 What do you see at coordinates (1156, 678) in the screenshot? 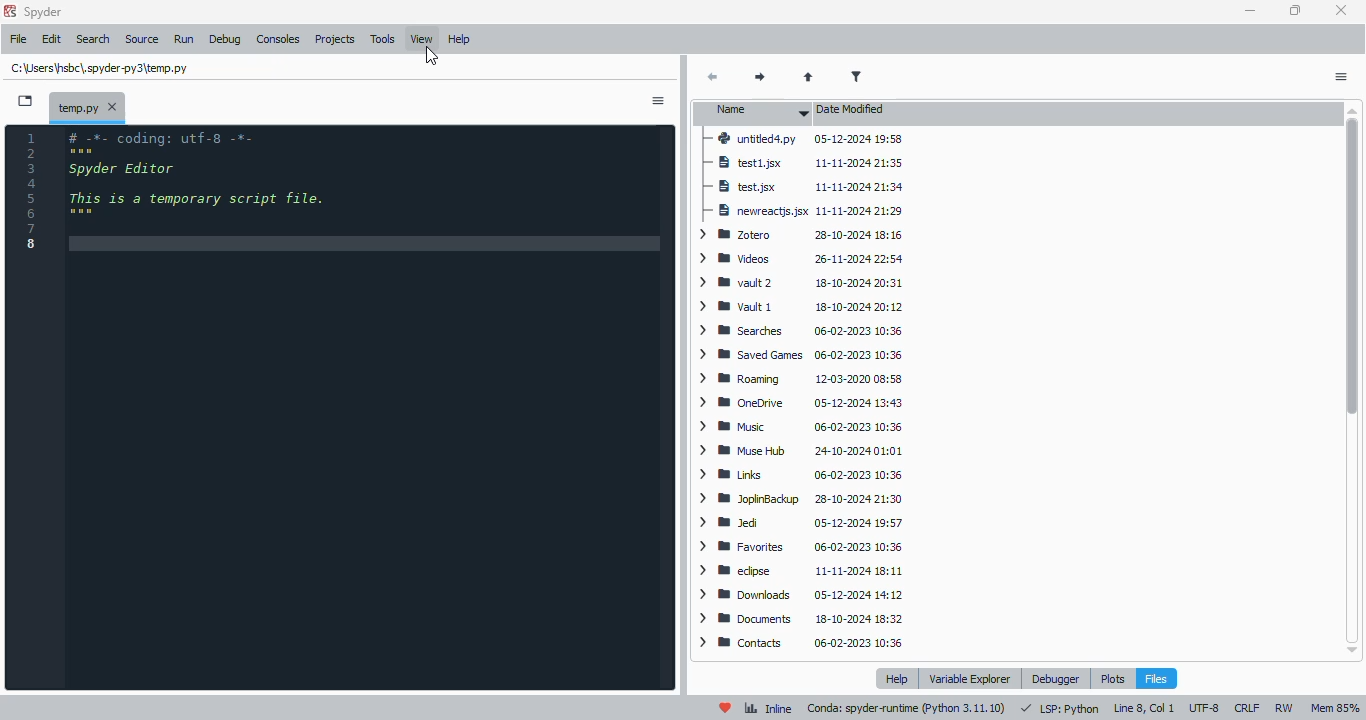
I see `files` at bounding box center [1156, 678].